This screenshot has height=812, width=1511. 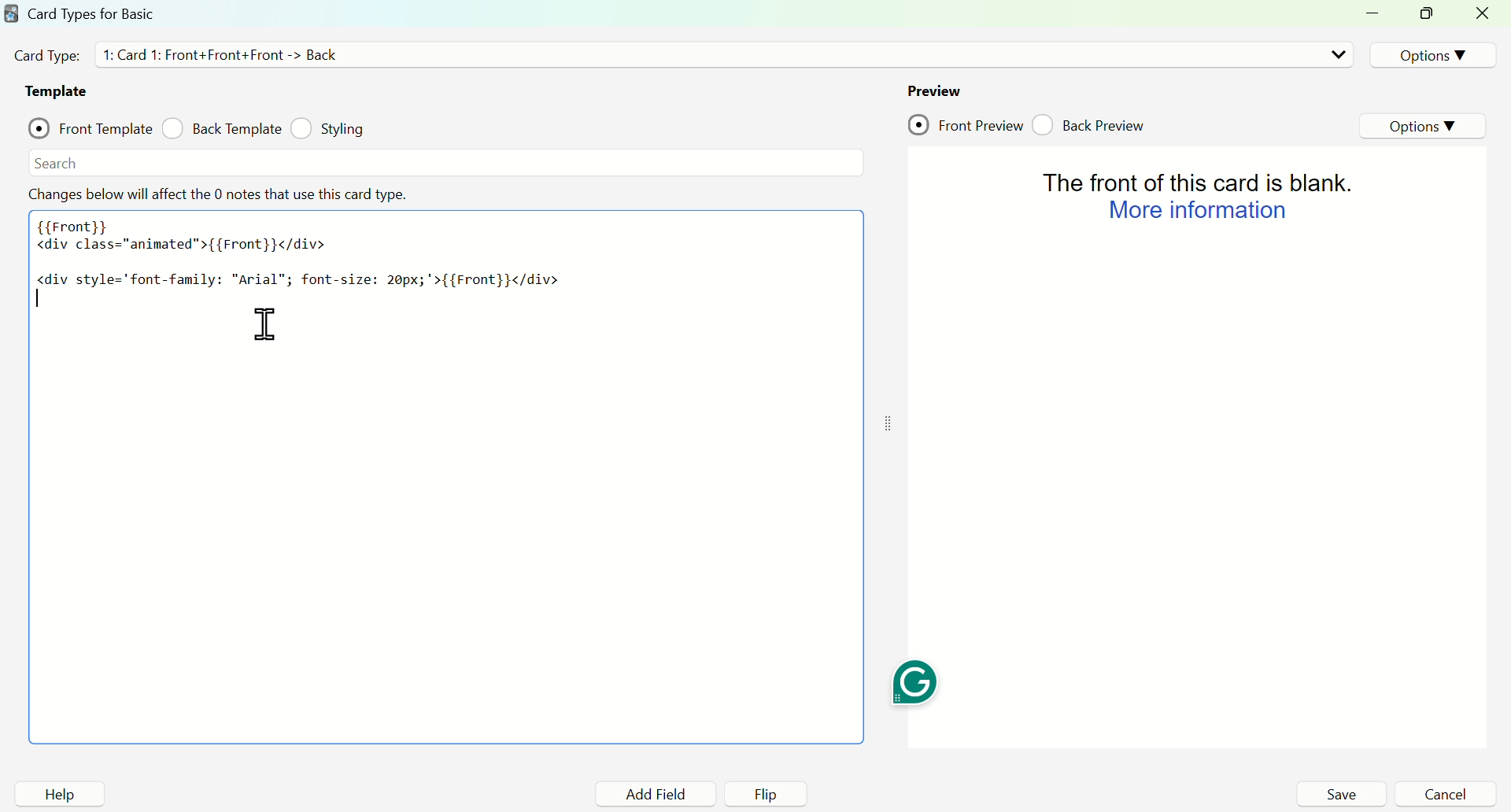 What do you see at coordinates (914, 683) in the screenshot?
I see `grammerly` at bounding box center [914, 683].